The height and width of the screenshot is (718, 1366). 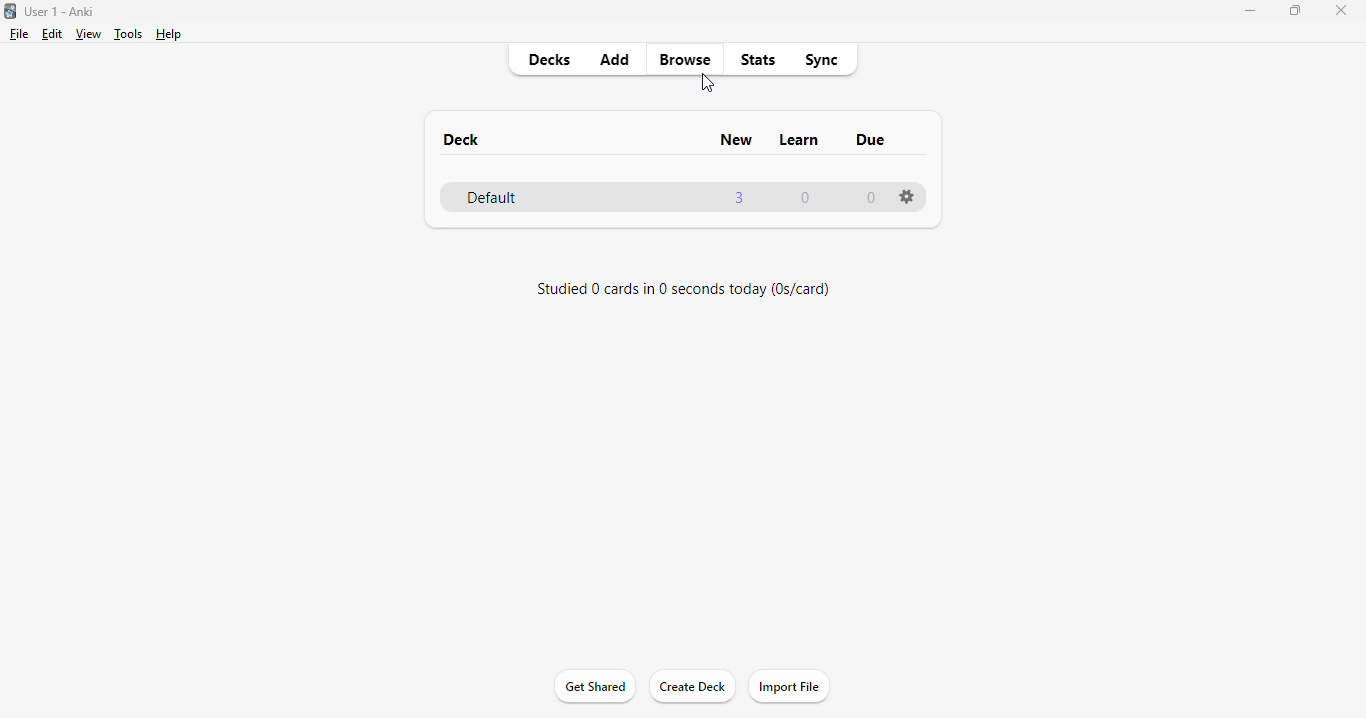 I want to click on options, so click(x=907, y=196).